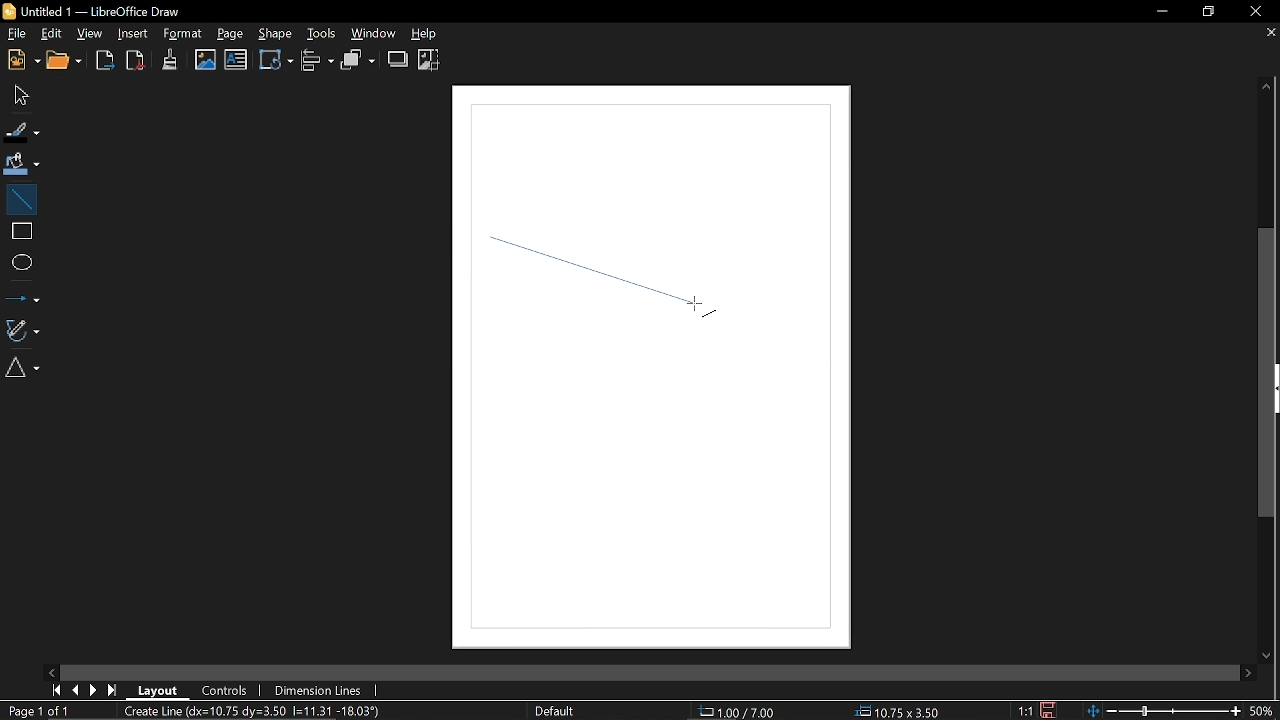  Describe the element at coordinates (38, 711) in the screenshot. I see `Current page` at that location.